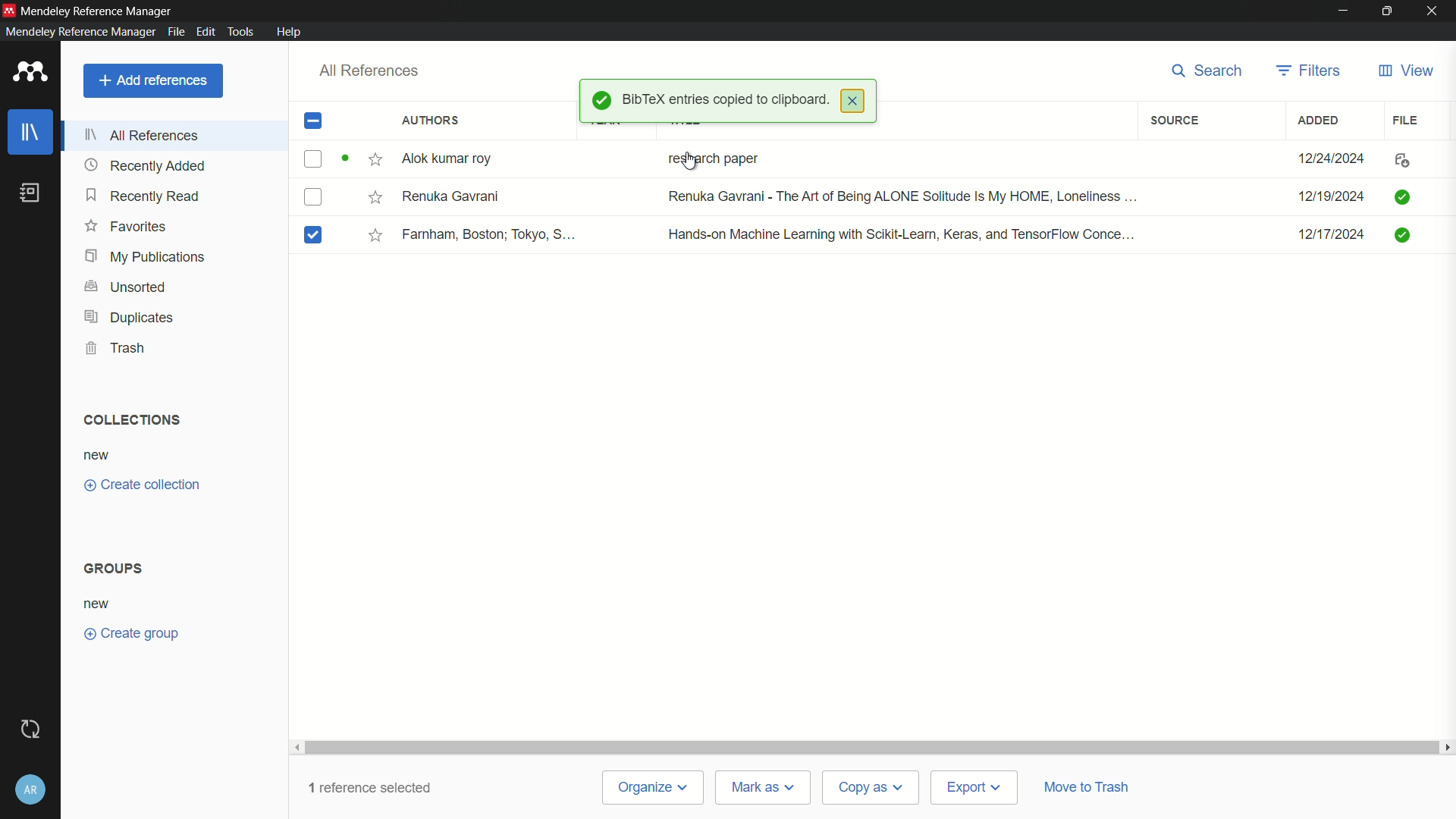 The height and width of the screenshot is (819, 1456). Describe the element at coordinates (1319, 121) in the screenshot. I see `added` at that location.